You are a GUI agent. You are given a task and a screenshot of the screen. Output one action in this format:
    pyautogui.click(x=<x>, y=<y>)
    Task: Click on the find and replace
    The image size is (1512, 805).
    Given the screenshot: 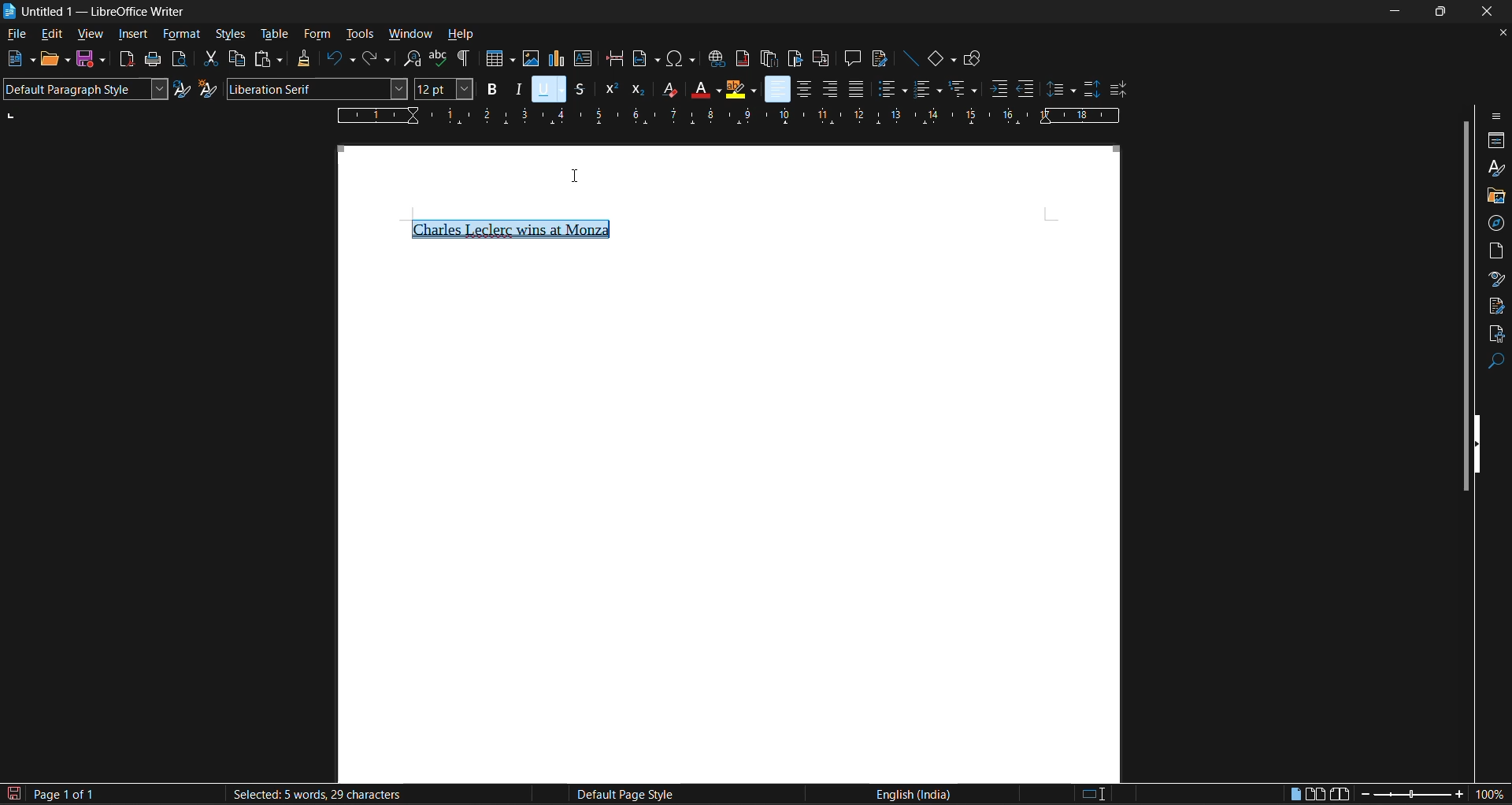 What is the action you would take?
    pyautogui.click(x=413, y=59)
    